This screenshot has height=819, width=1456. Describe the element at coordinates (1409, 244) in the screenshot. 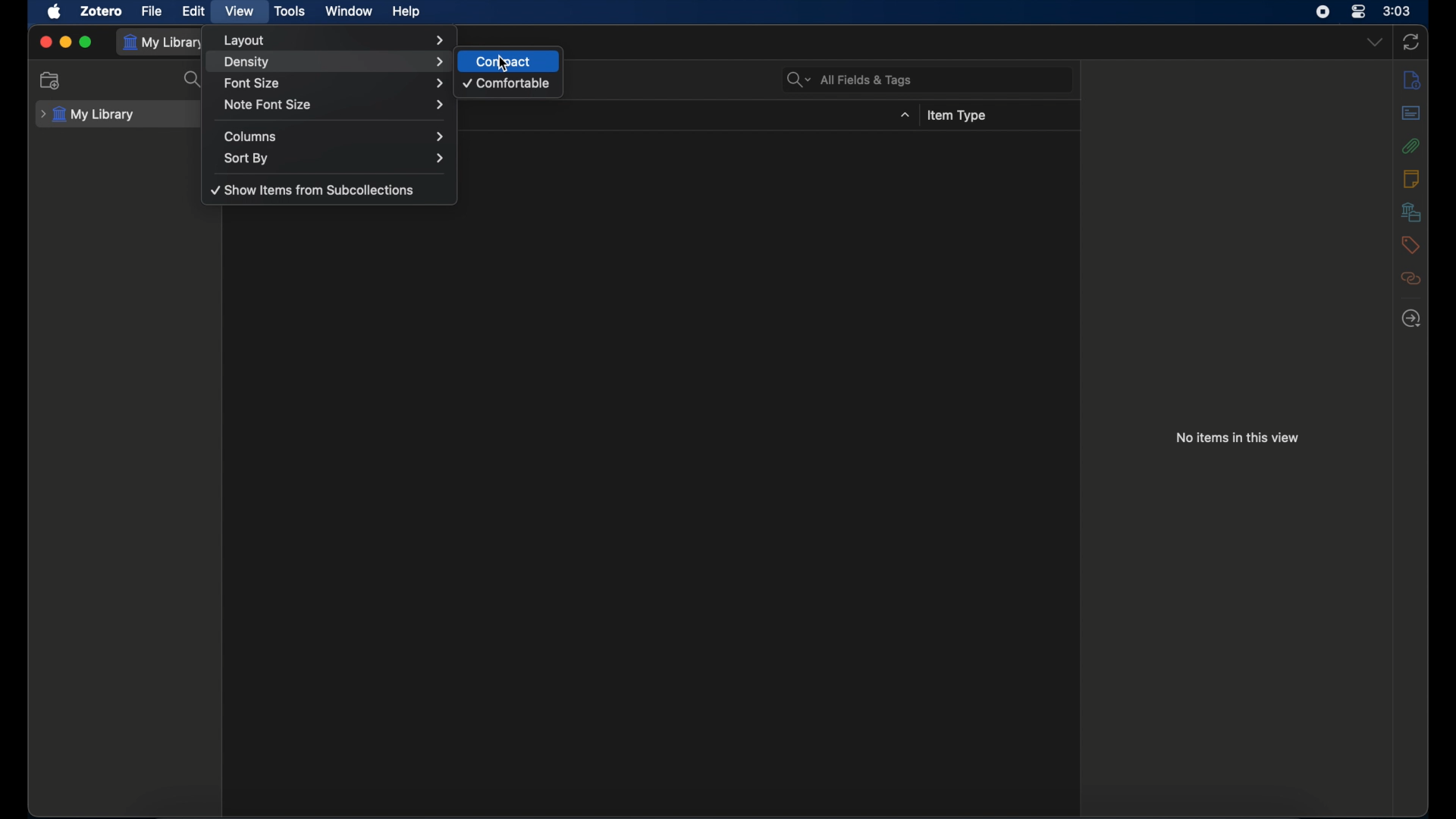

I see `tags` at that location.